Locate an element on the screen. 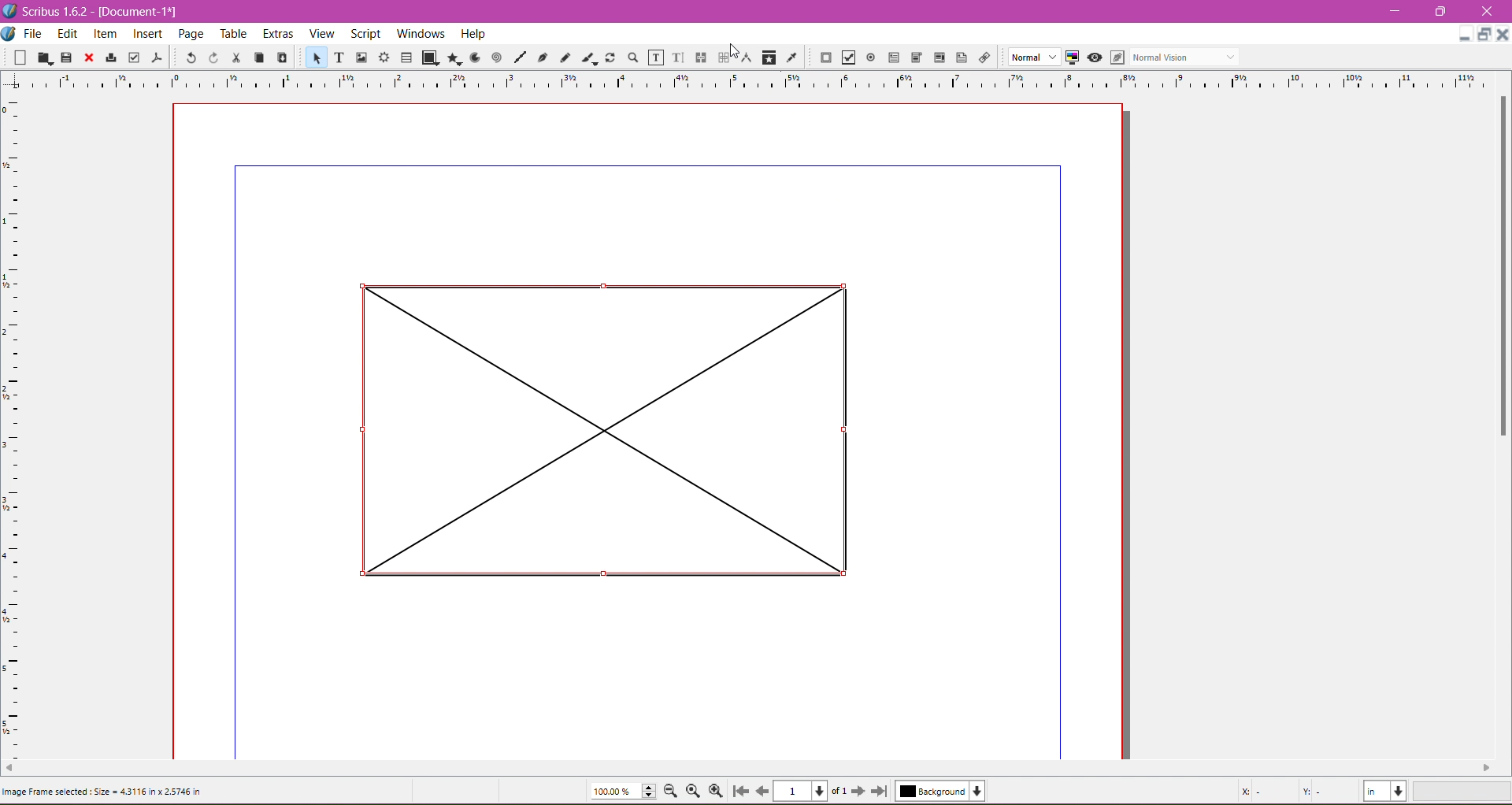 This screenshot has width=1512, height=805. Current Page is located at coordinates (810, 791).